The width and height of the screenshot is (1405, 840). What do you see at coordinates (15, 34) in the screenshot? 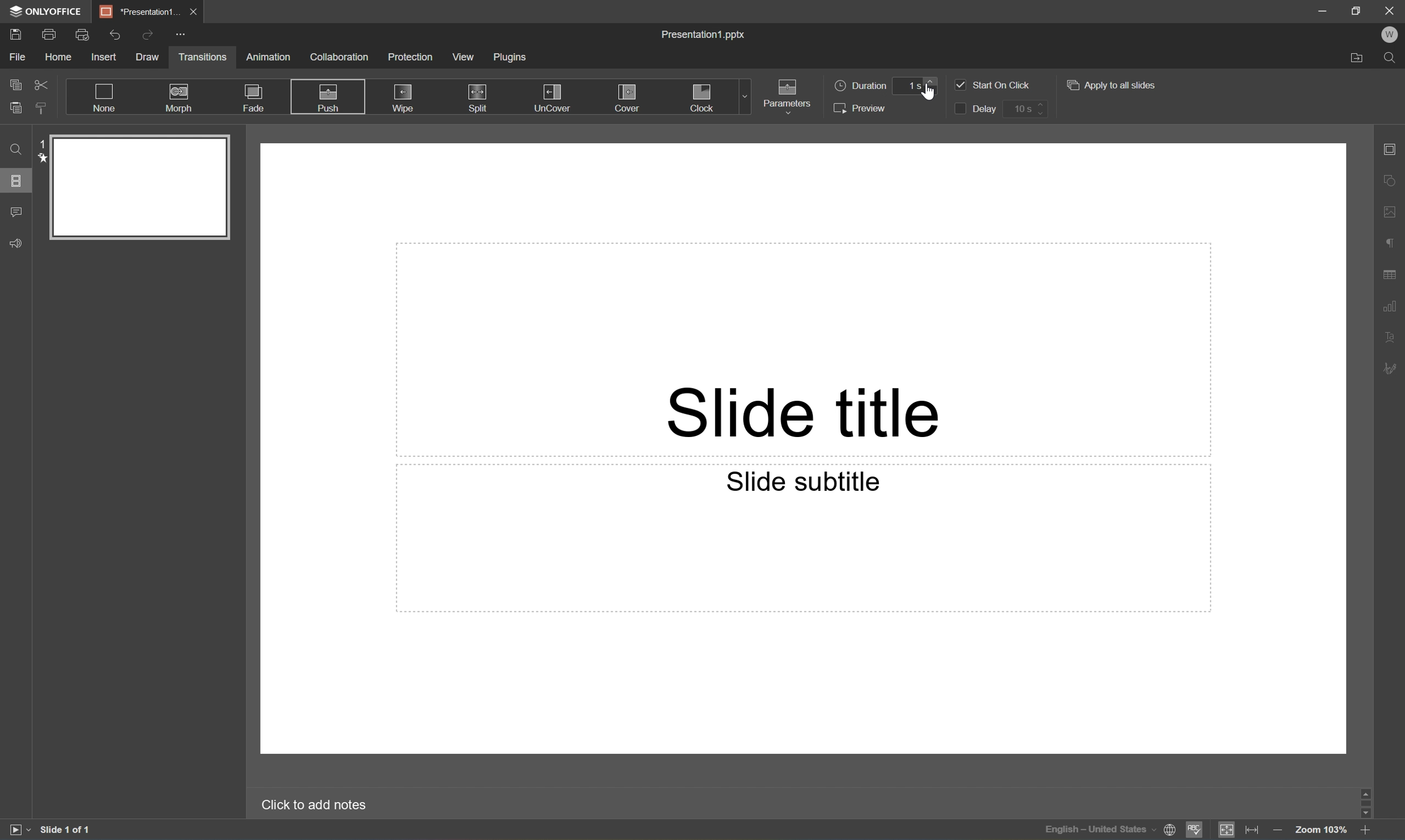
I see `Save` at bounding box center [15, 34].